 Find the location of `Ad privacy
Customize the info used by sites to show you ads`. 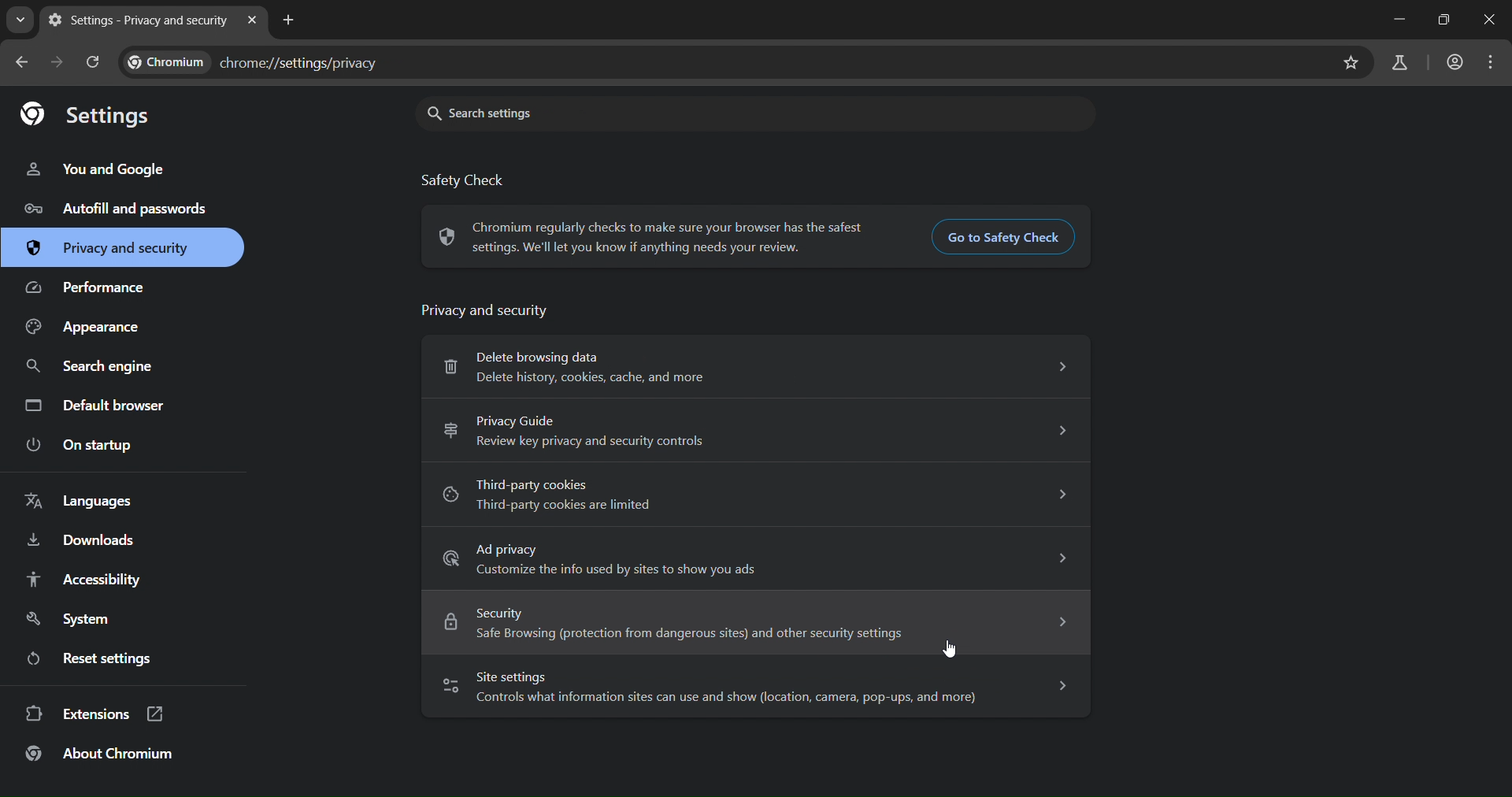

Ad privacy
Customize the info used by sites to show you ads is located at coordinates (758, 558).